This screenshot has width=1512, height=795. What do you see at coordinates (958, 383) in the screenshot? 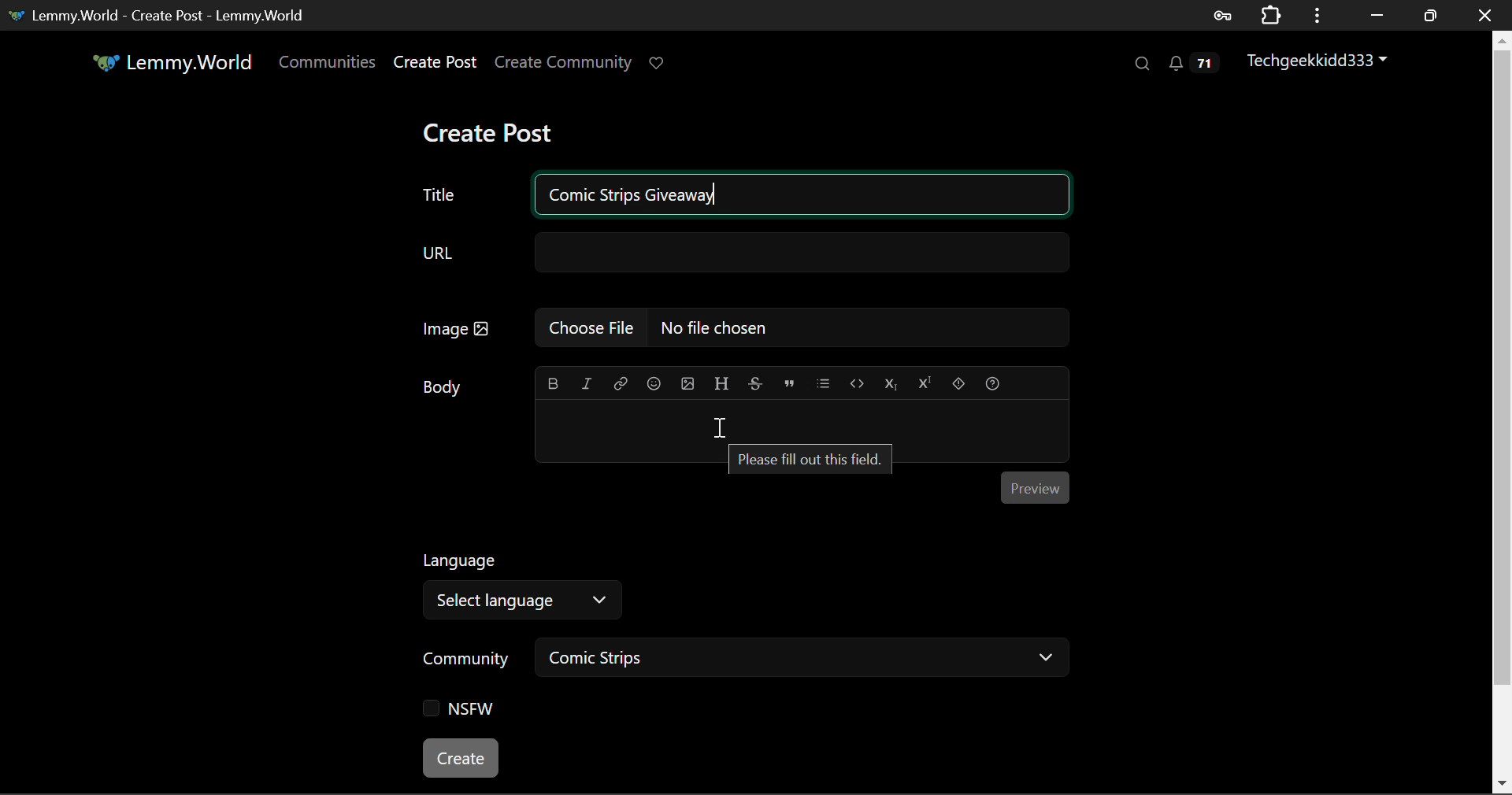
I see `spoiler` at bounding box center [958, 383].